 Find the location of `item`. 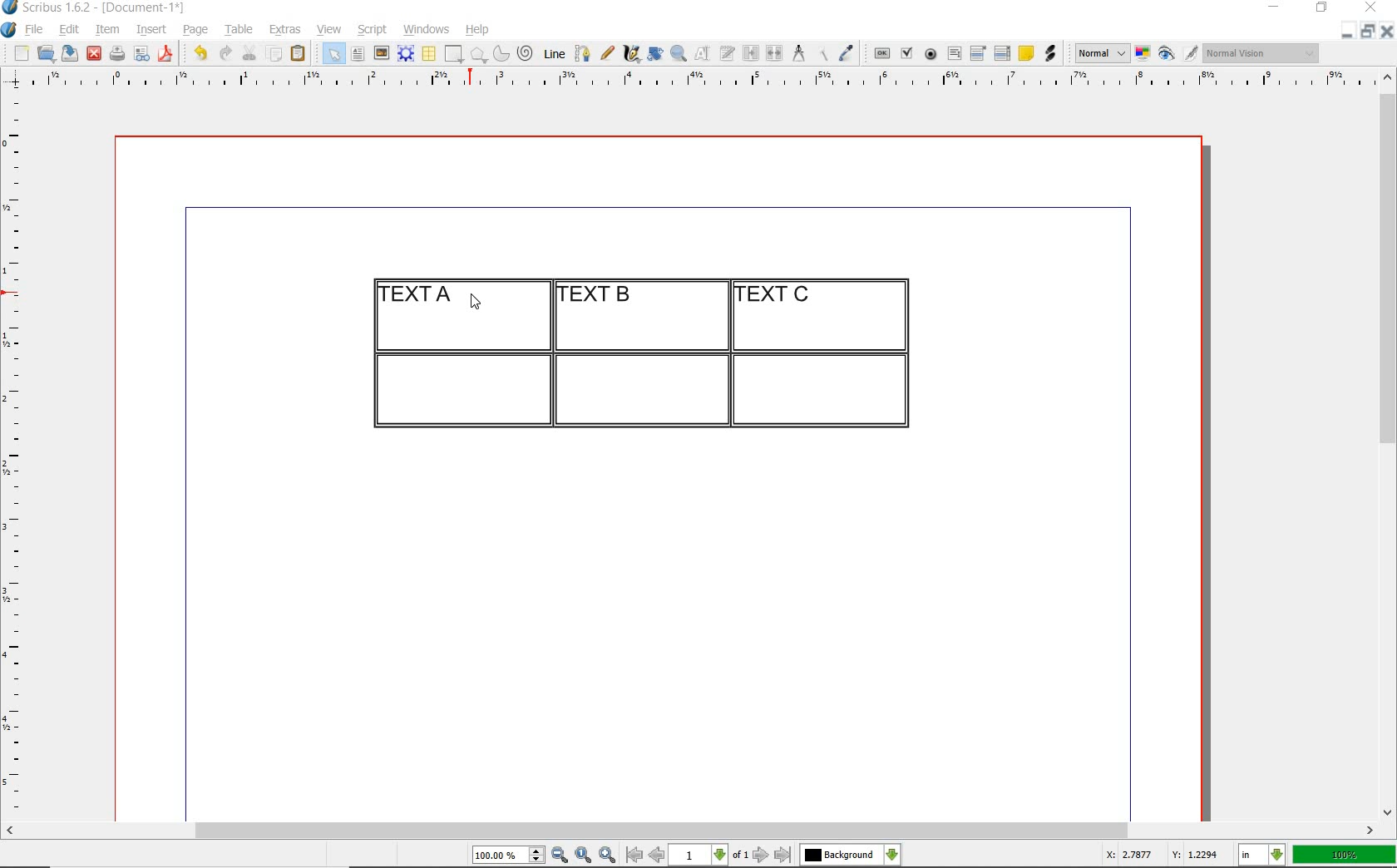

item is located at coordinates (106, 30).